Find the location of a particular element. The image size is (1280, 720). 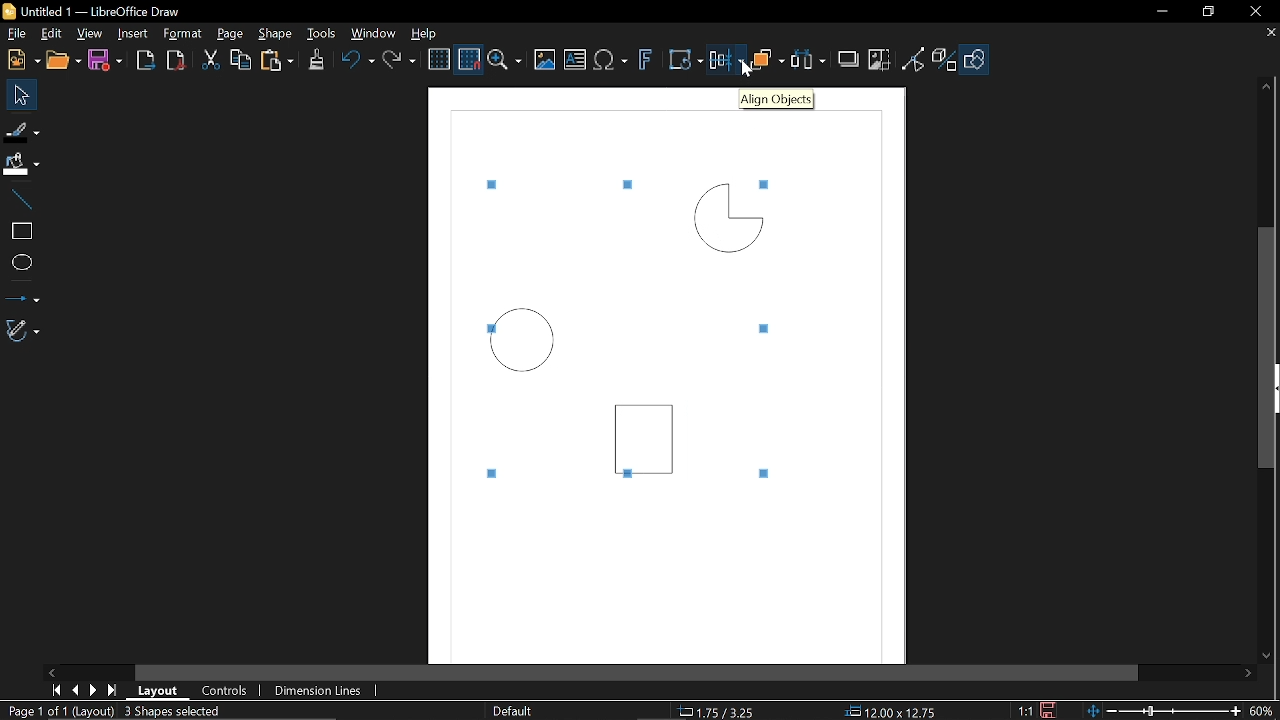

Clone is located at coordinates (315, 60).